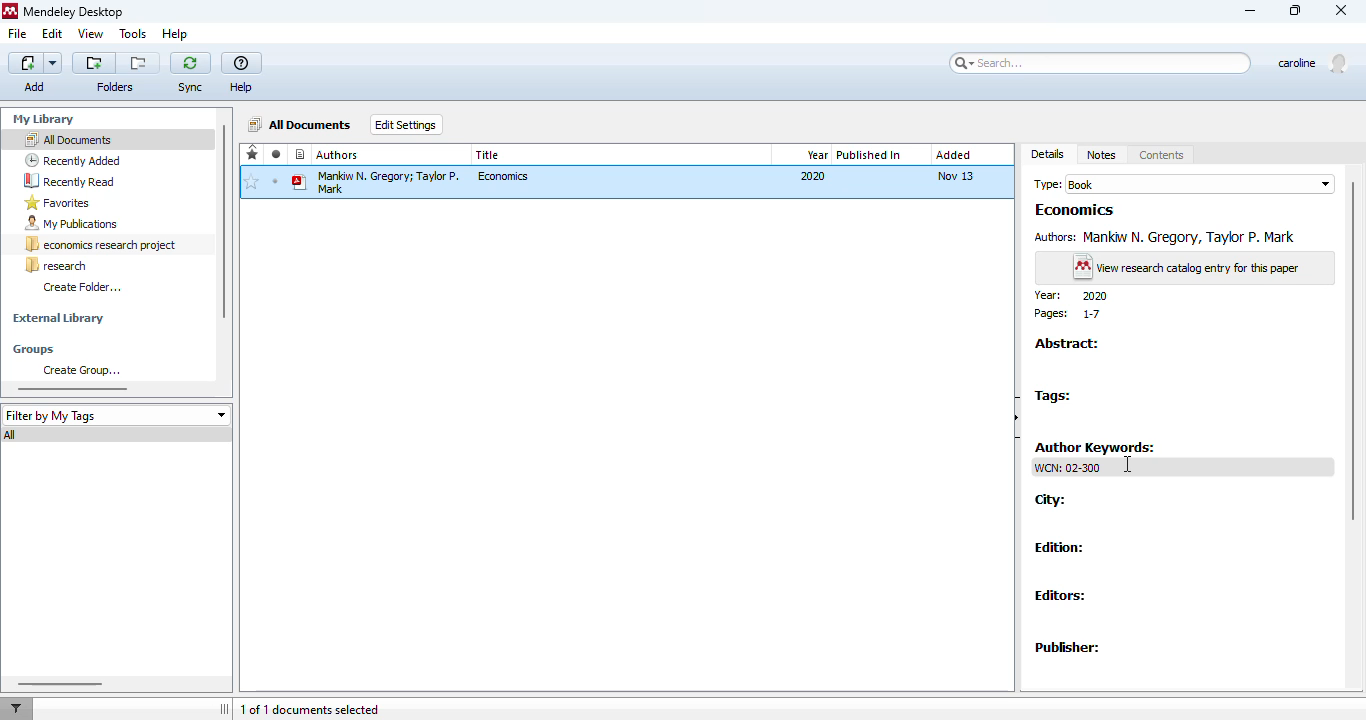 This screenshot has height=720, width=1366. Describe the element at coordinates (301, 124) in the screenshot. I see `all documents` at that location.